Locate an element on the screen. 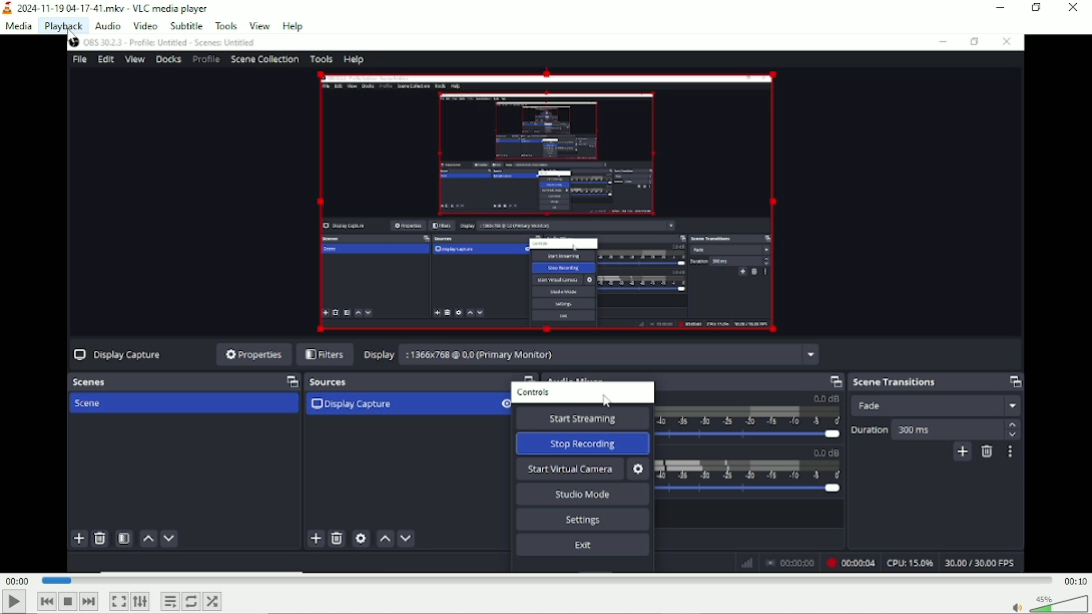 This screenshot has height=614, width=1092. View is located at coordinates (258, 25).